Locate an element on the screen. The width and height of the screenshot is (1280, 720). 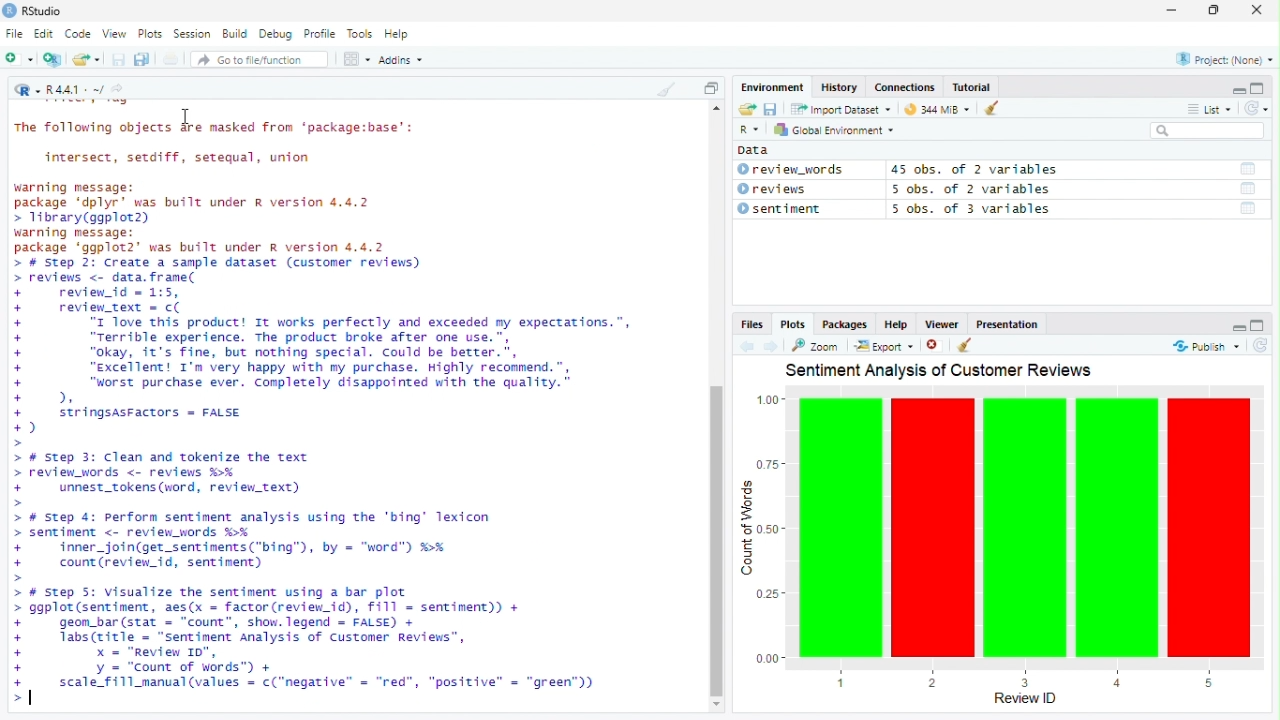
# Step 5: visualize the sentiment using a bar plot
ggplot (sentiment, aes(x = factor (review_id), 111 = sentiment) +
geom_bar (stat = “count”, show.legend = FALSE) +
Tabs(title = "sentiment Analysis of Customer Reviews",
x = "Review 10",
y = “Count of Words") +
scale_fi11_manual(values = c("negative” = Jill", "positive" = EER) is located at coordinates (312, 644).